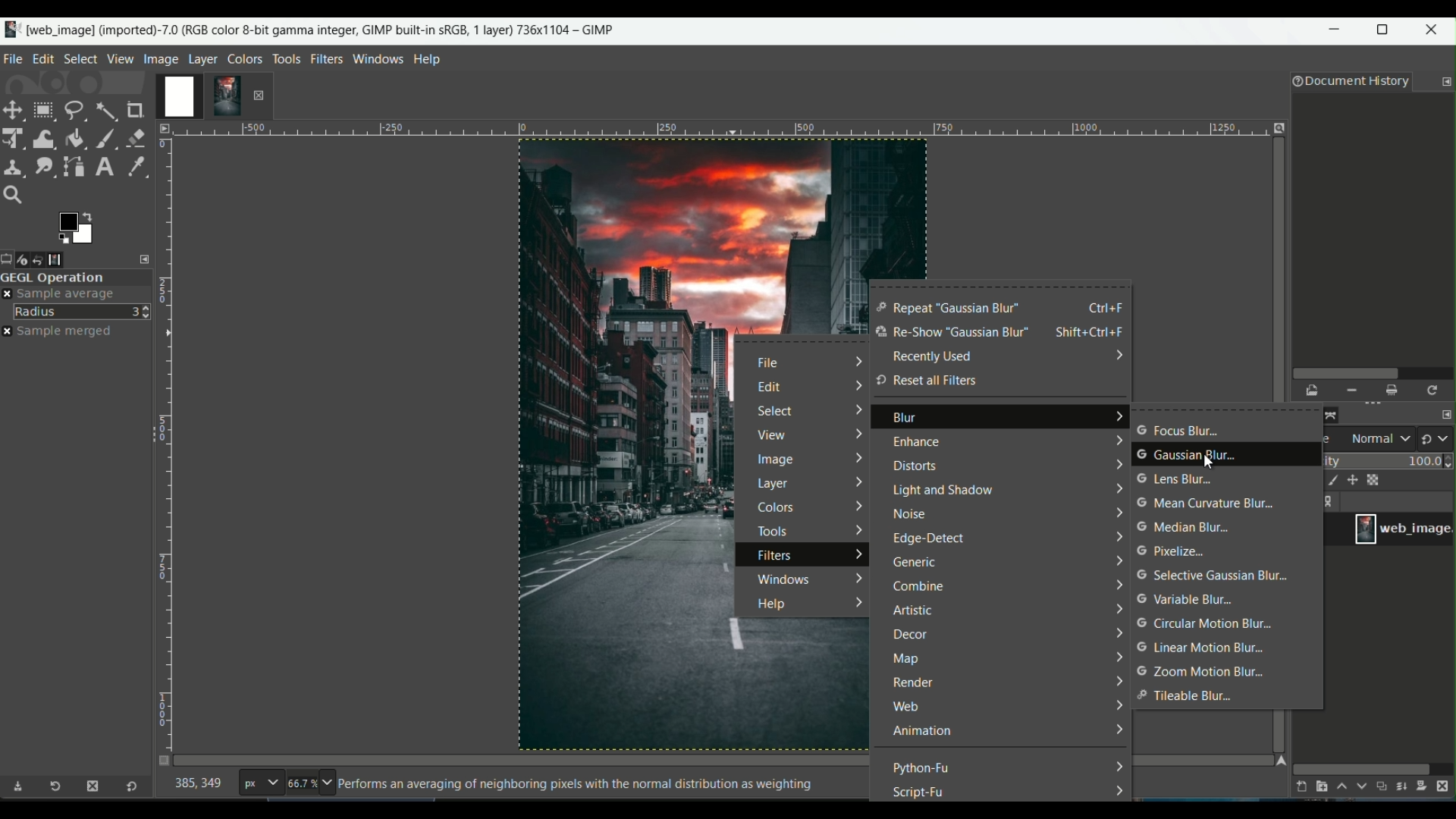  What do you see at coordinates (259, 95) in the screenshot?
I see `remove image` at bounding box center [259, 95].